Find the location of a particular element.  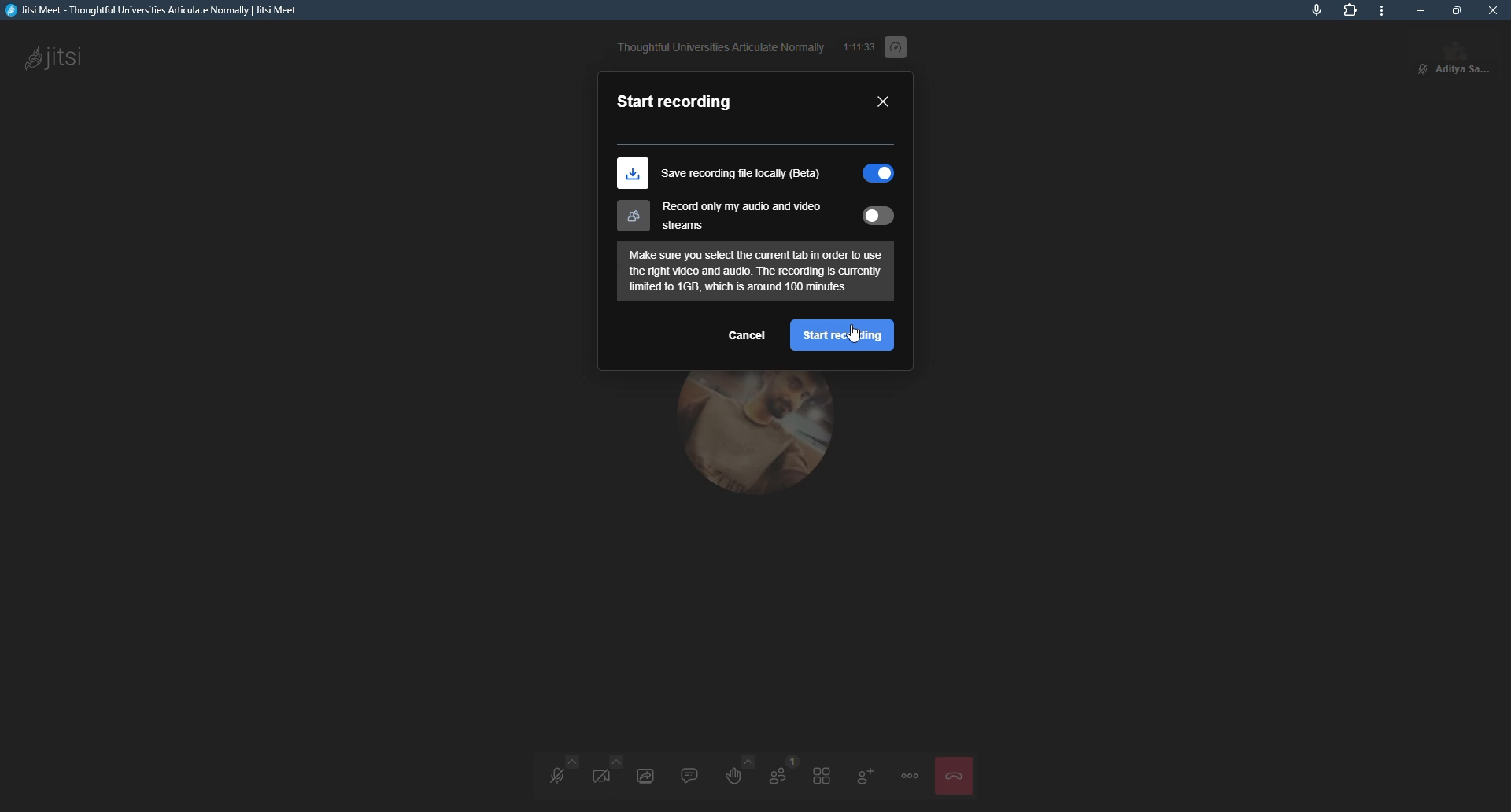

mic is located at coordinates (1315, 10).